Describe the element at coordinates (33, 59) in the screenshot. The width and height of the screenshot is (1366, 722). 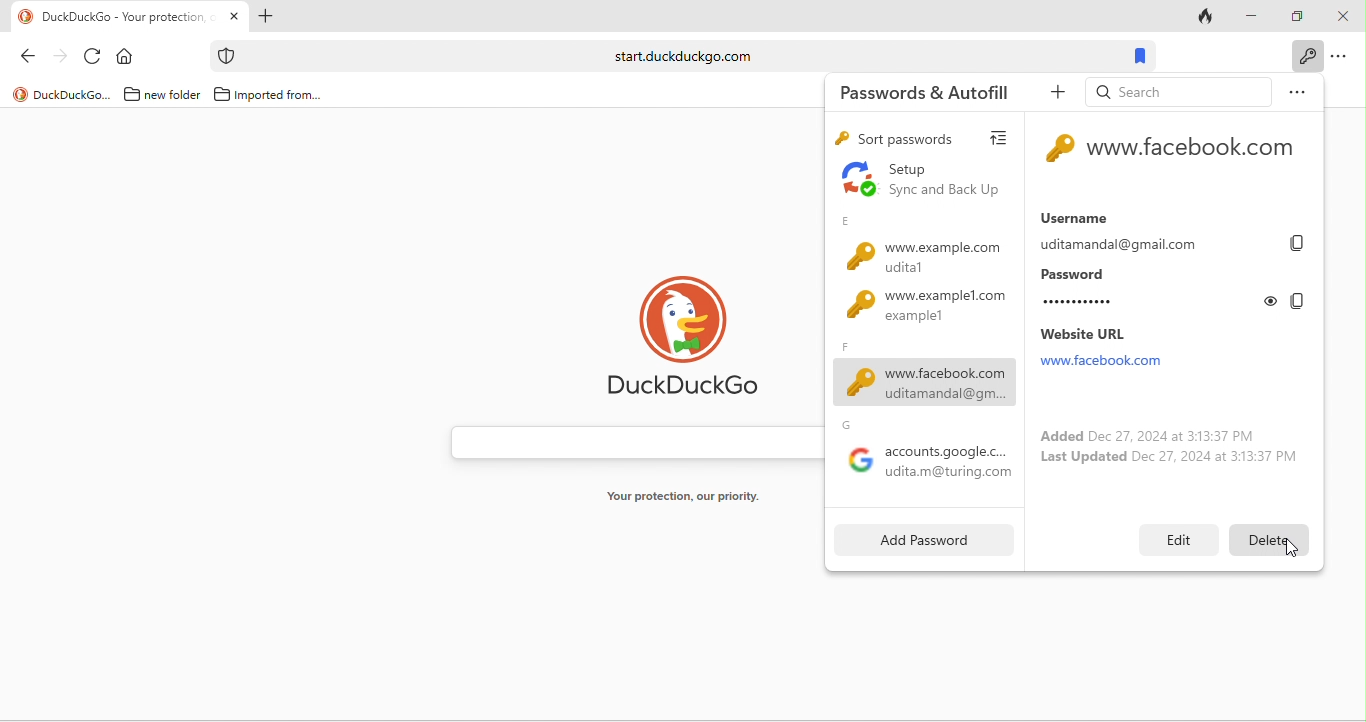
I see `back` at that location.